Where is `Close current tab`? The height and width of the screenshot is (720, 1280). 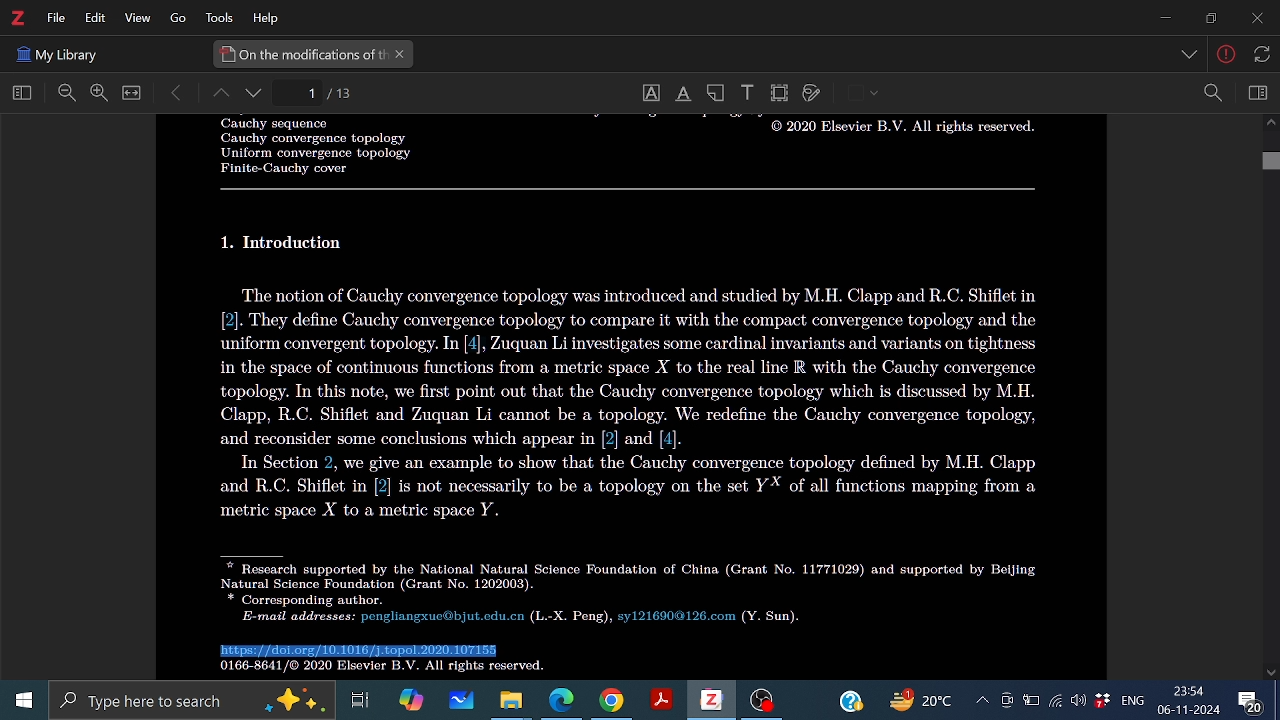
Close current tab is located at coordinates (401, 55).